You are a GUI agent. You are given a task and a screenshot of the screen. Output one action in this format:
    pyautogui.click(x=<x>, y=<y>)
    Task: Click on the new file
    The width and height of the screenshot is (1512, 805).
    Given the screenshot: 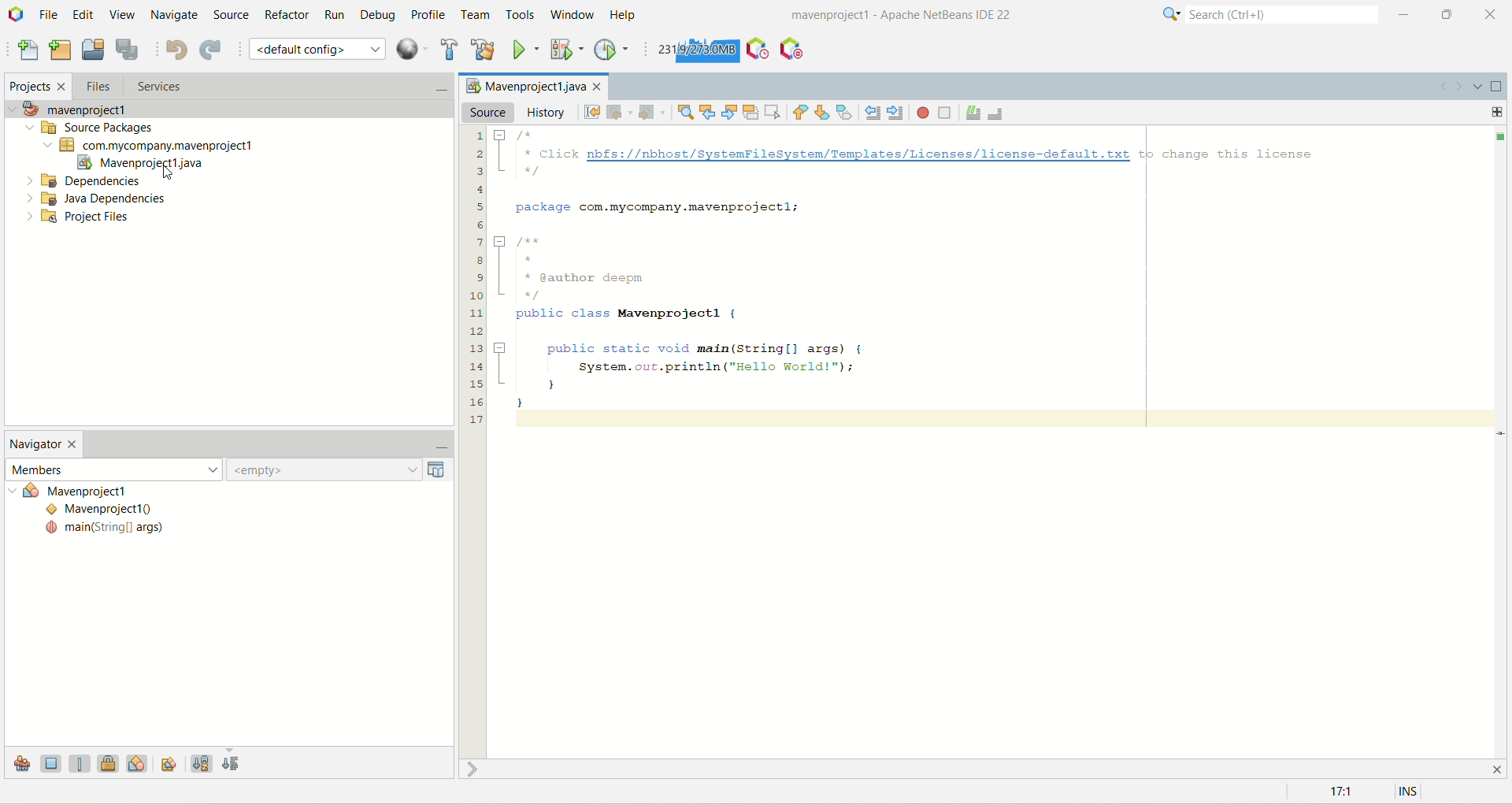 What is the action you would take?
    pyautogui.click(x=26, y=52)
    